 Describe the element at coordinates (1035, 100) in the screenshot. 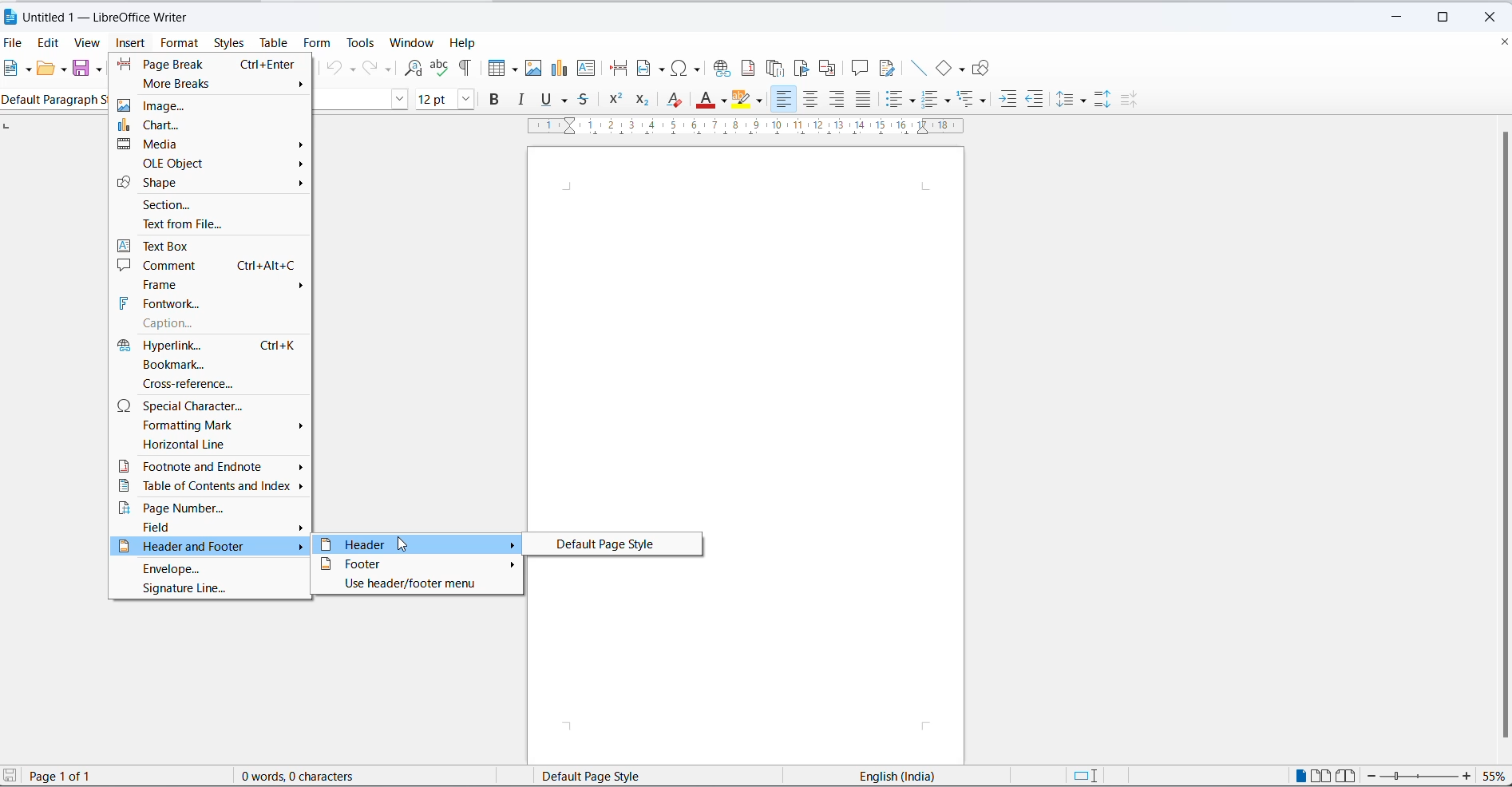

I see `decrease indent` at that location.